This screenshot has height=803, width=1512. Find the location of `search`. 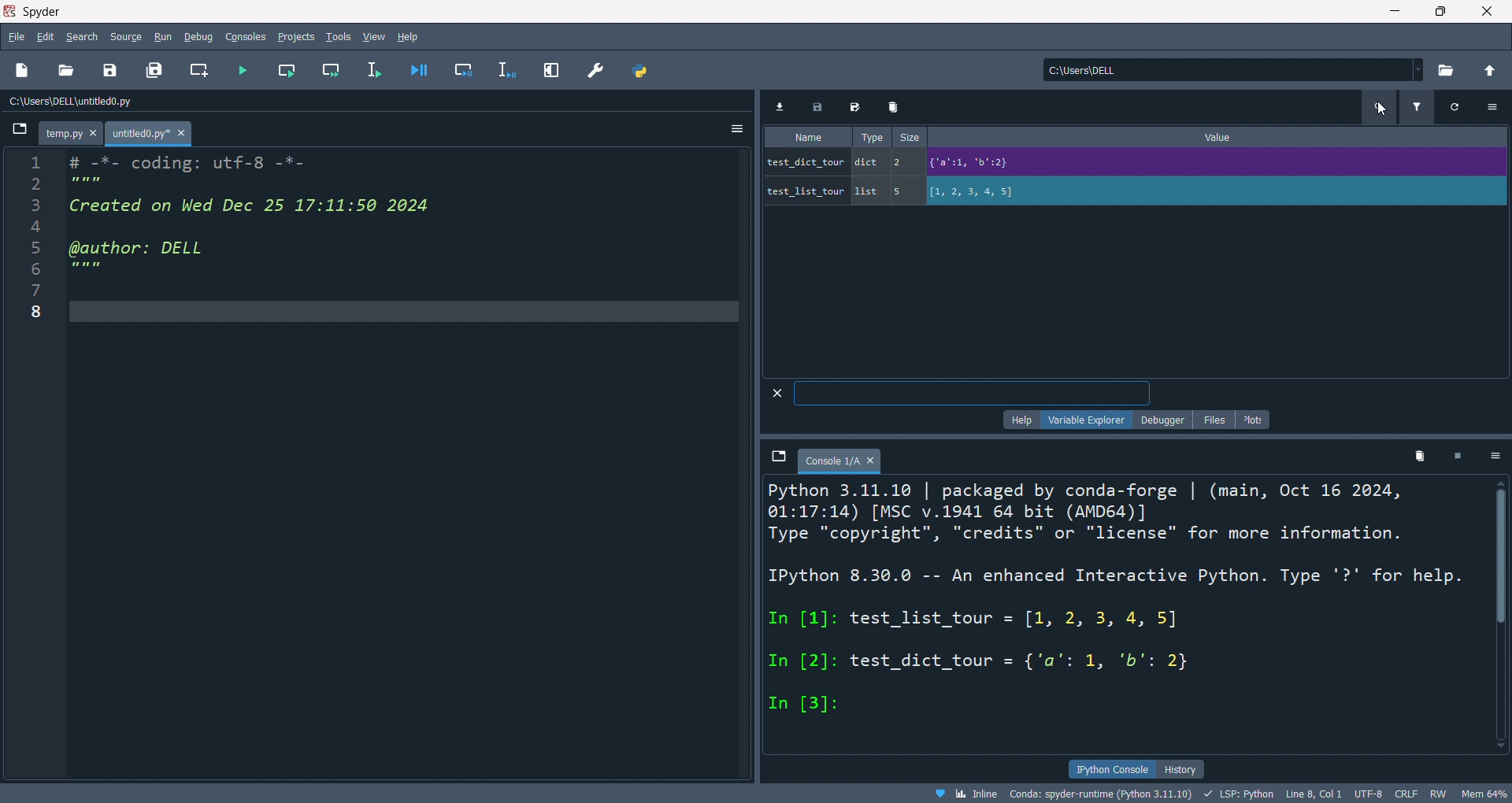

search is located at coordinates (82, 35).